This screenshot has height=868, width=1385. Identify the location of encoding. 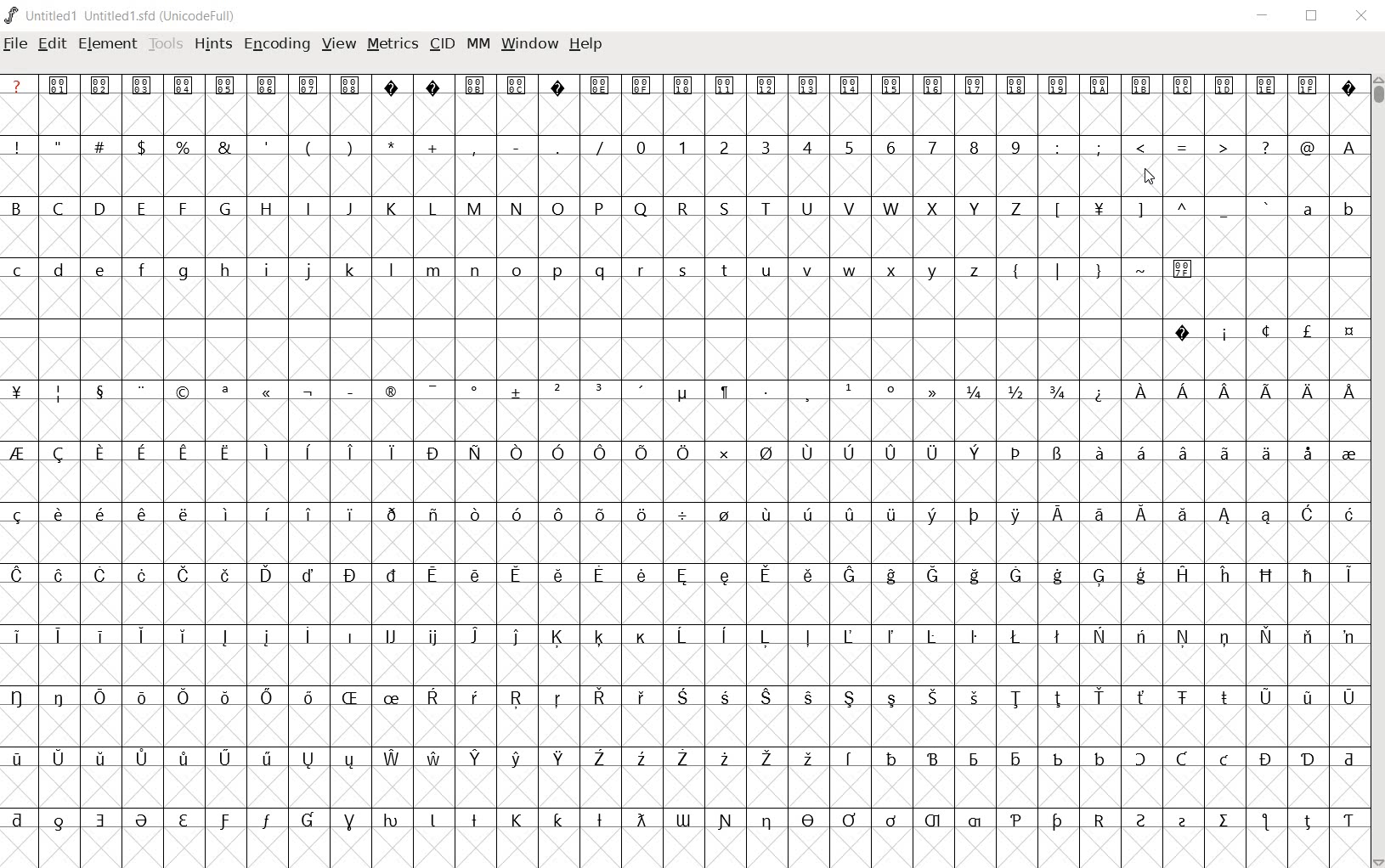
(274, 44).